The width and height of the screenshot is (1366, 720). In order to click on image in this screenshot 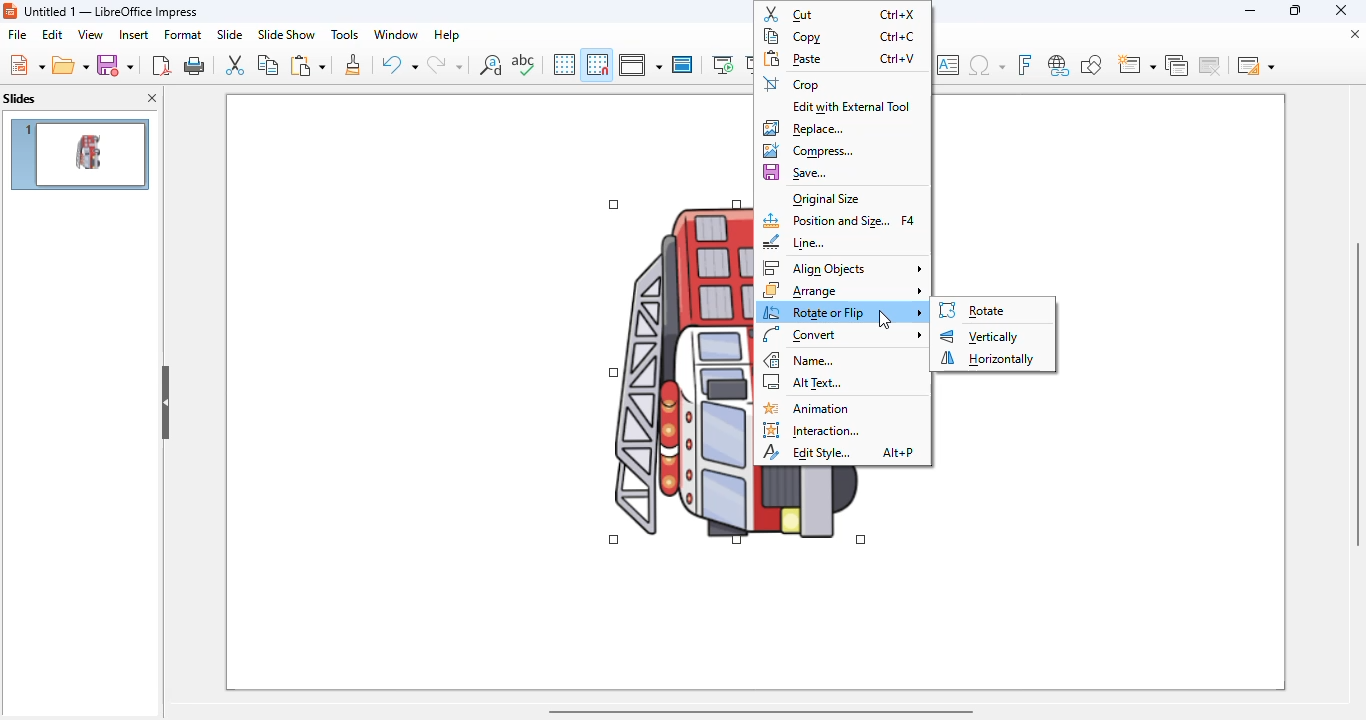, I will do `click(667, 370)`.